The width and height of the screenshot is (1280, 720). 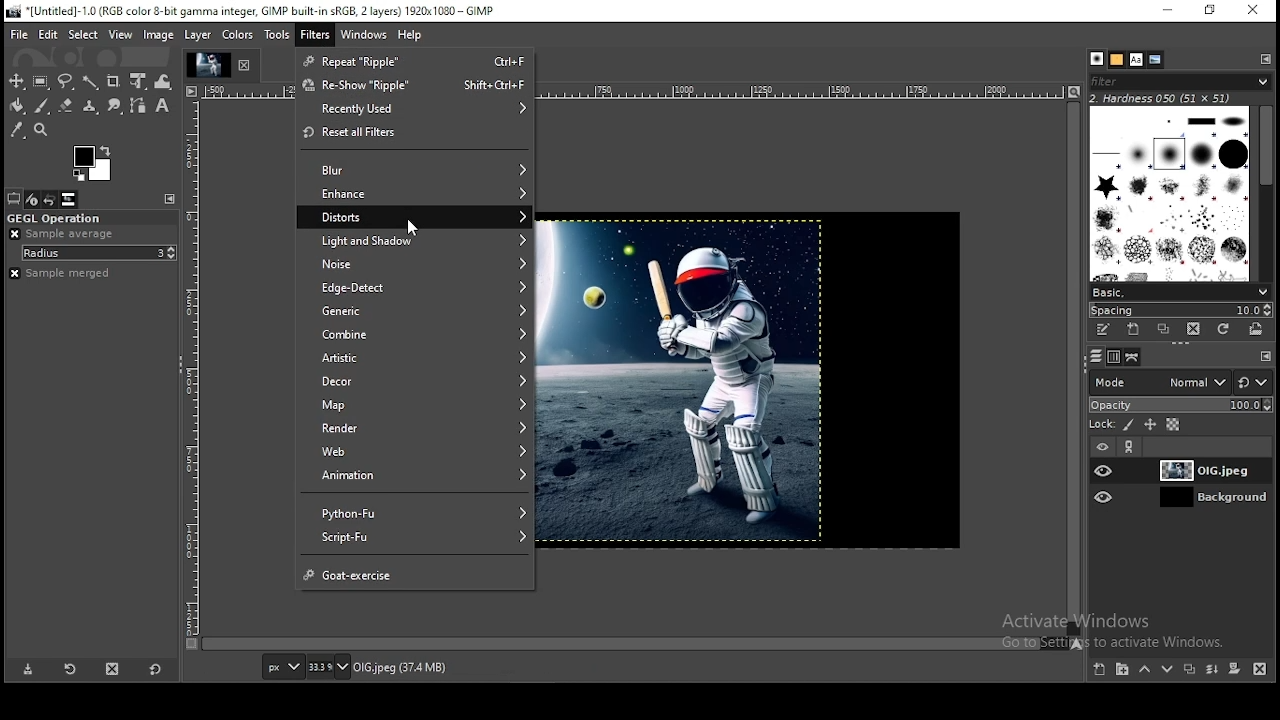 I want to click on free select tool, so click(x=67, y=82).